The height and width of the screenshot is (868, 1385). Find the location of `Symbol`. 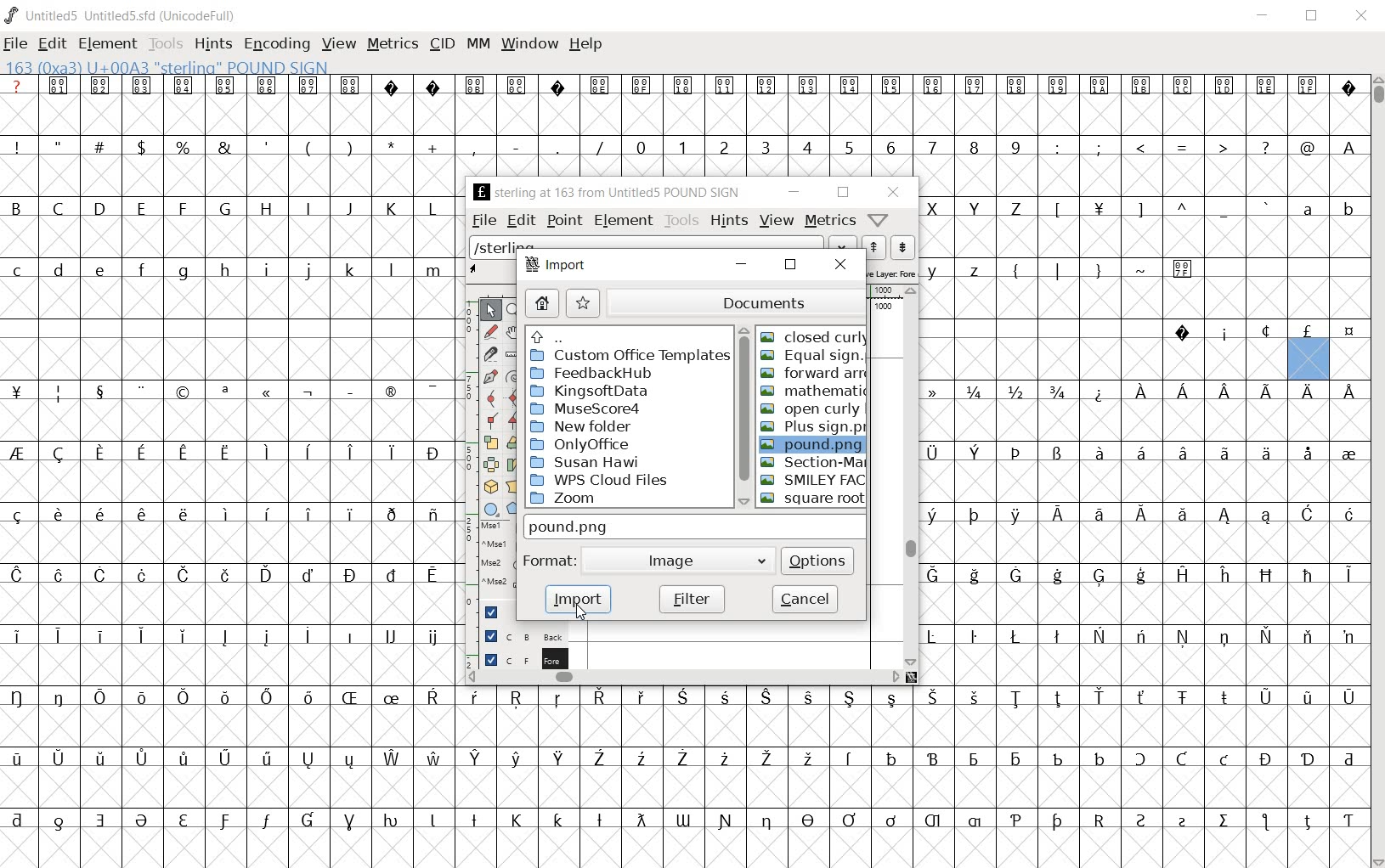

Symbol is located at coordinates (308, 759).